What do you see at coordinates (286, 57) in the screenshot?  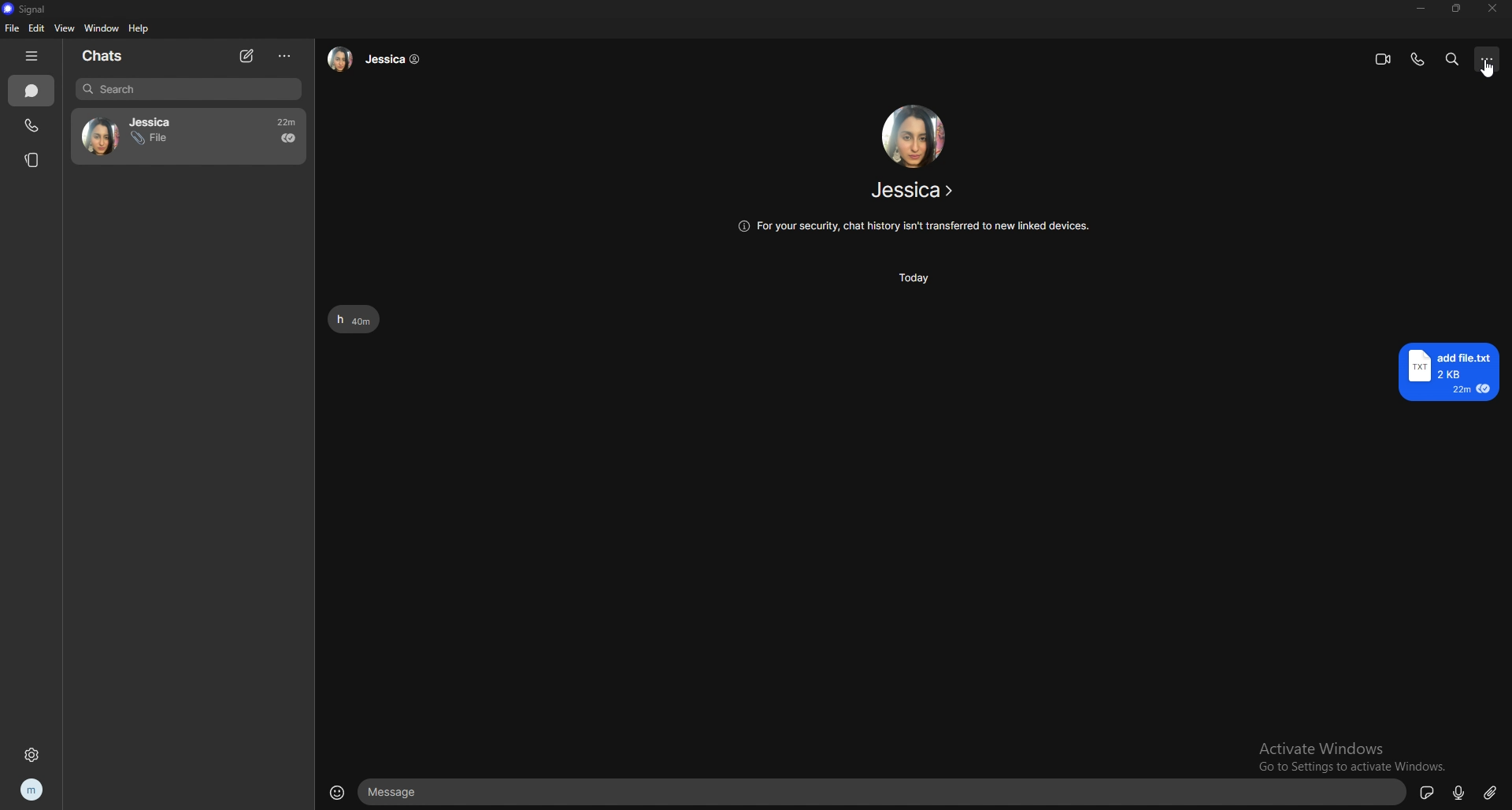 I see `options` at bounding box center [286, 57].